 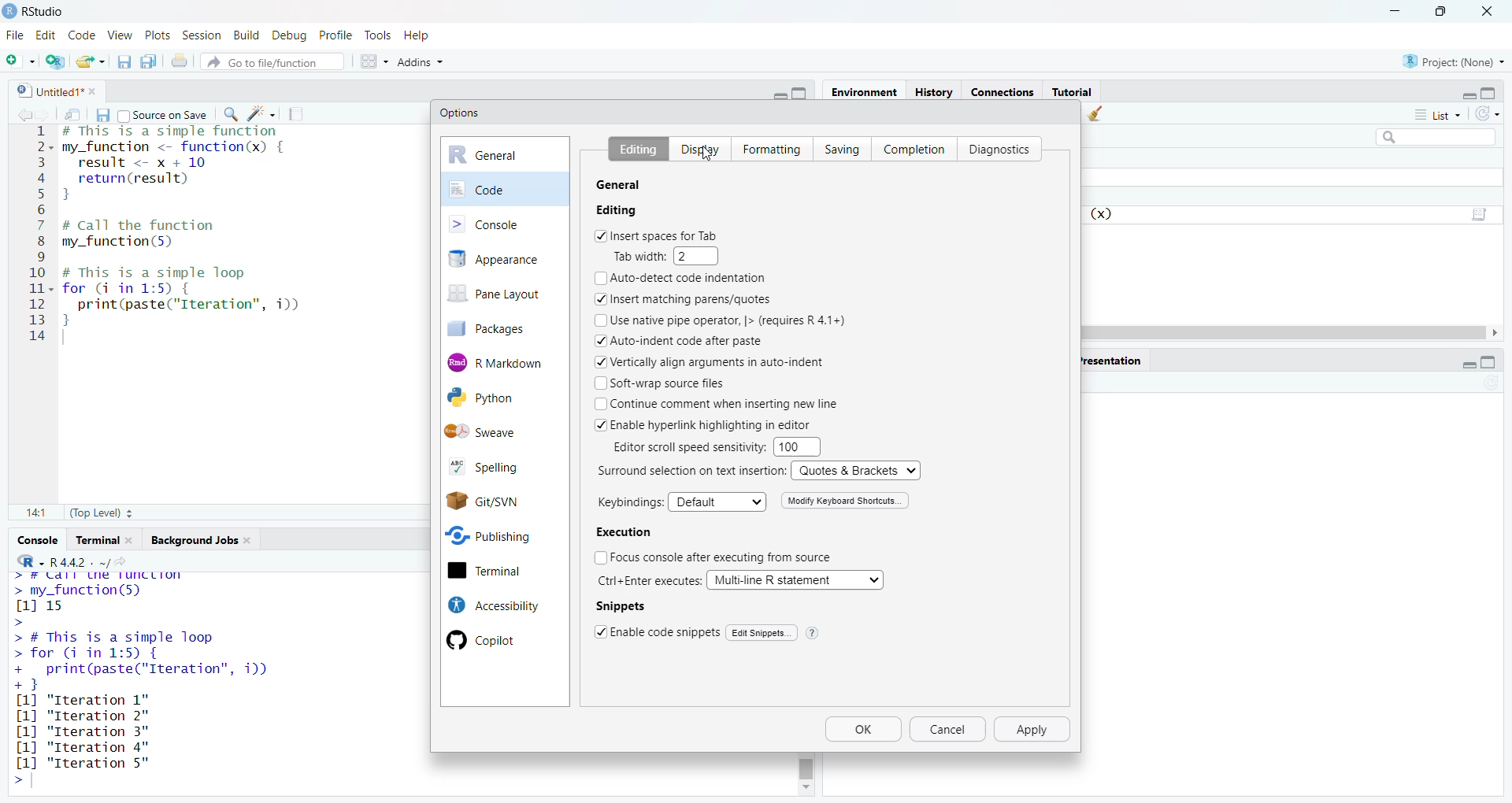 What do you see at coordinates (1287, 332) in the screenshot?
I see `scrollbar` at bounding box center [1287, 332].